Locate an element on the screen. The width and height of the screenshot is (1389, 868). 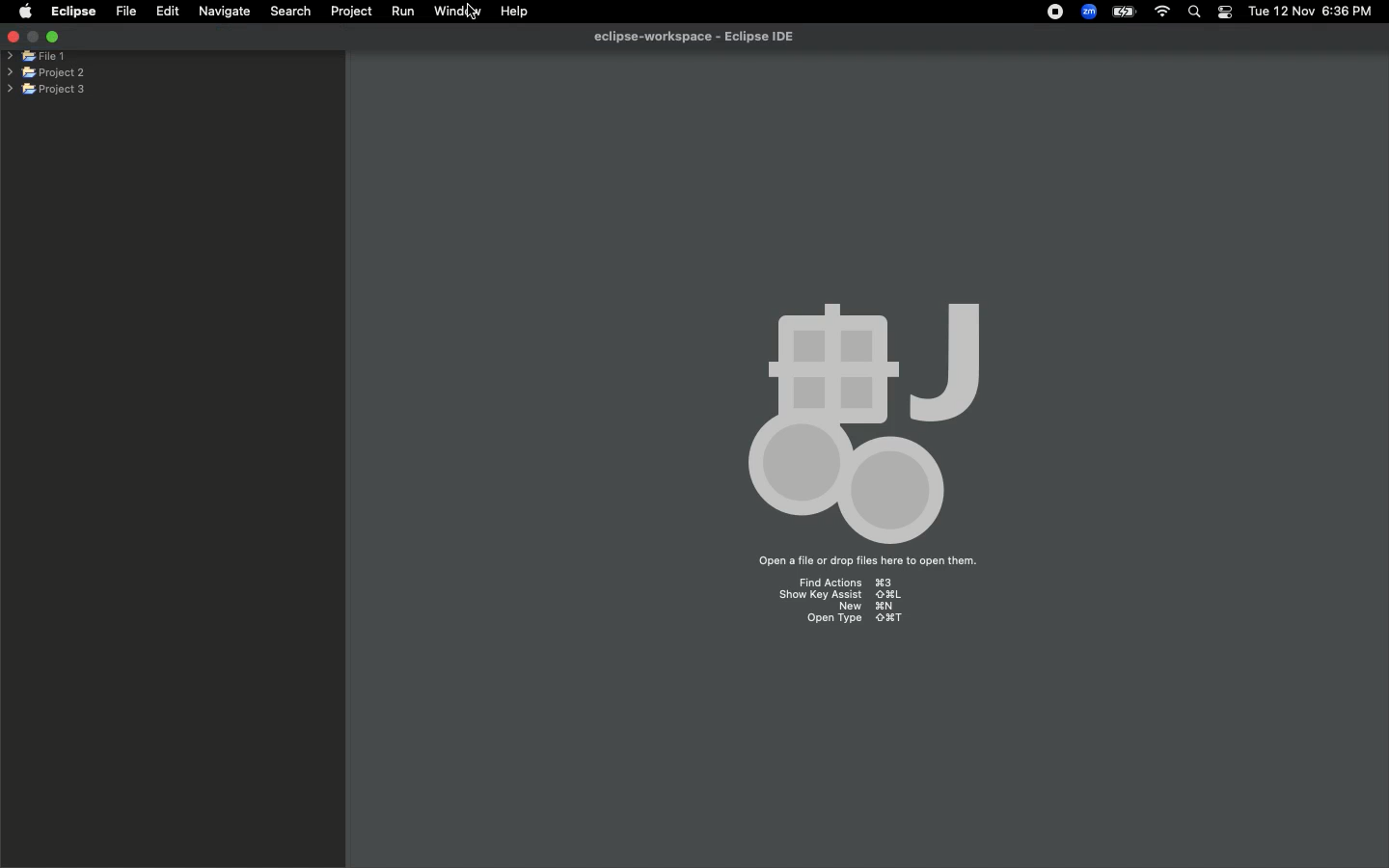
File is located at coordinates (124, 12).